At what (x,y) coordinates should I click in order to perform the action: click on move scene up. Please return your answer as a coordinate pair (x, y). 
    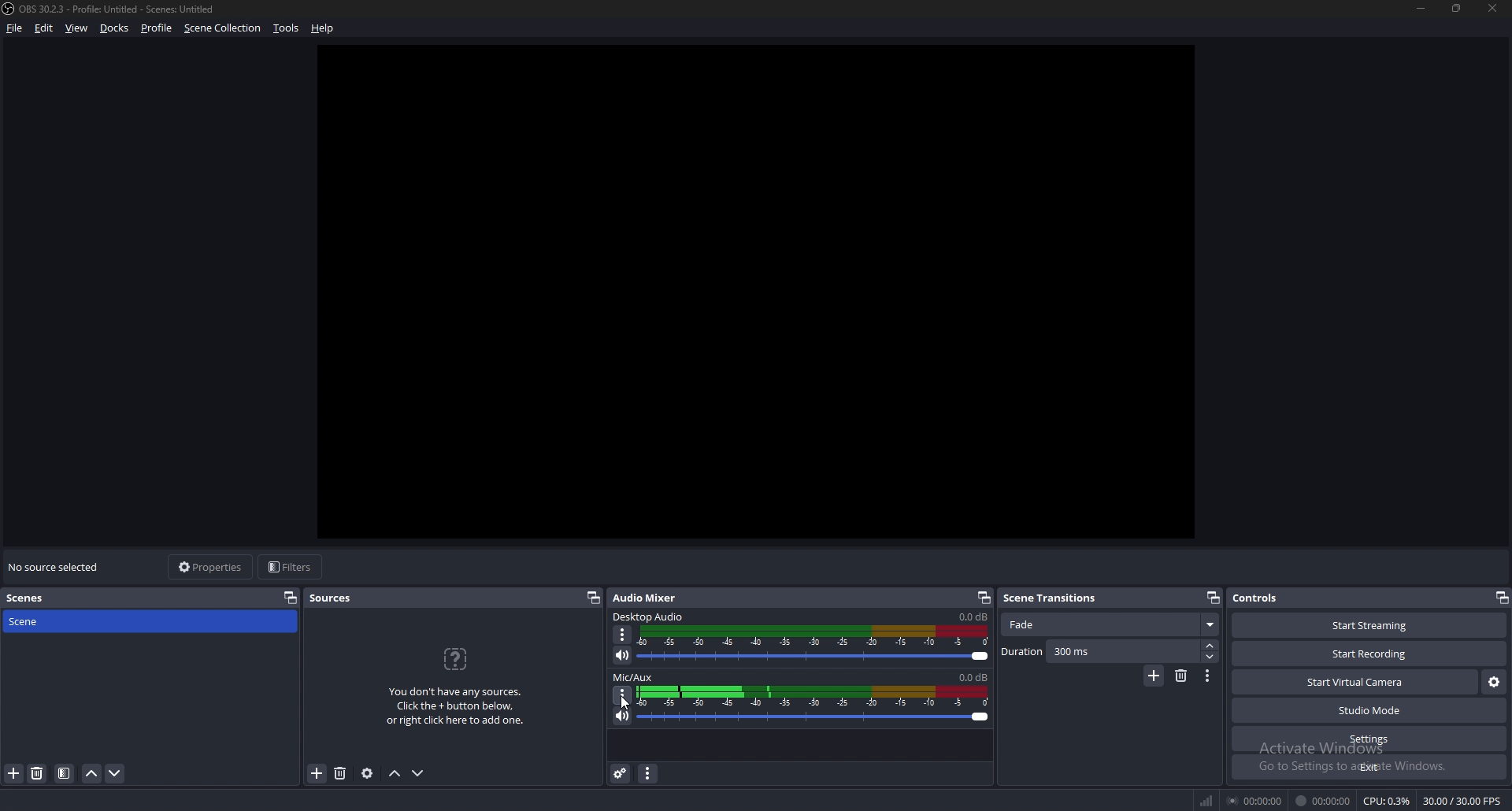
    Looking at the image, I should click on (91, 774).